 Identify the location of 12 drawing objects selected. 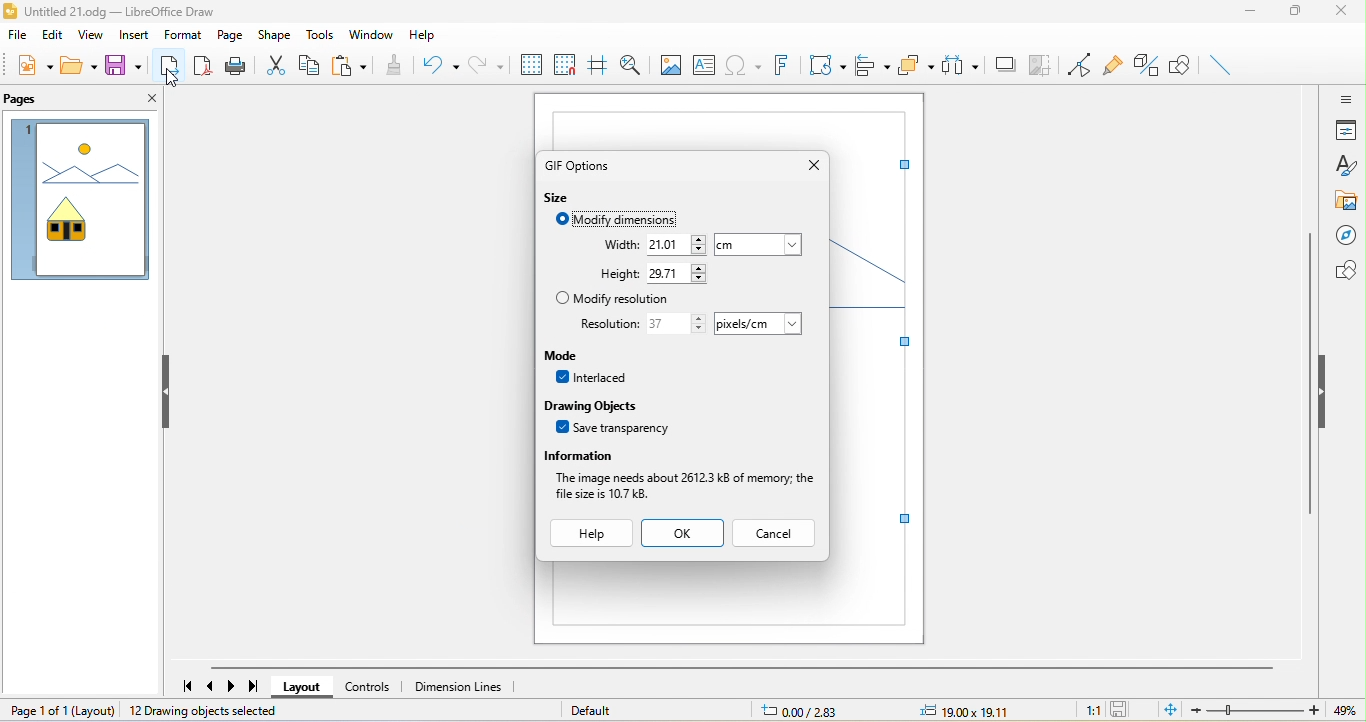
(208, 711).